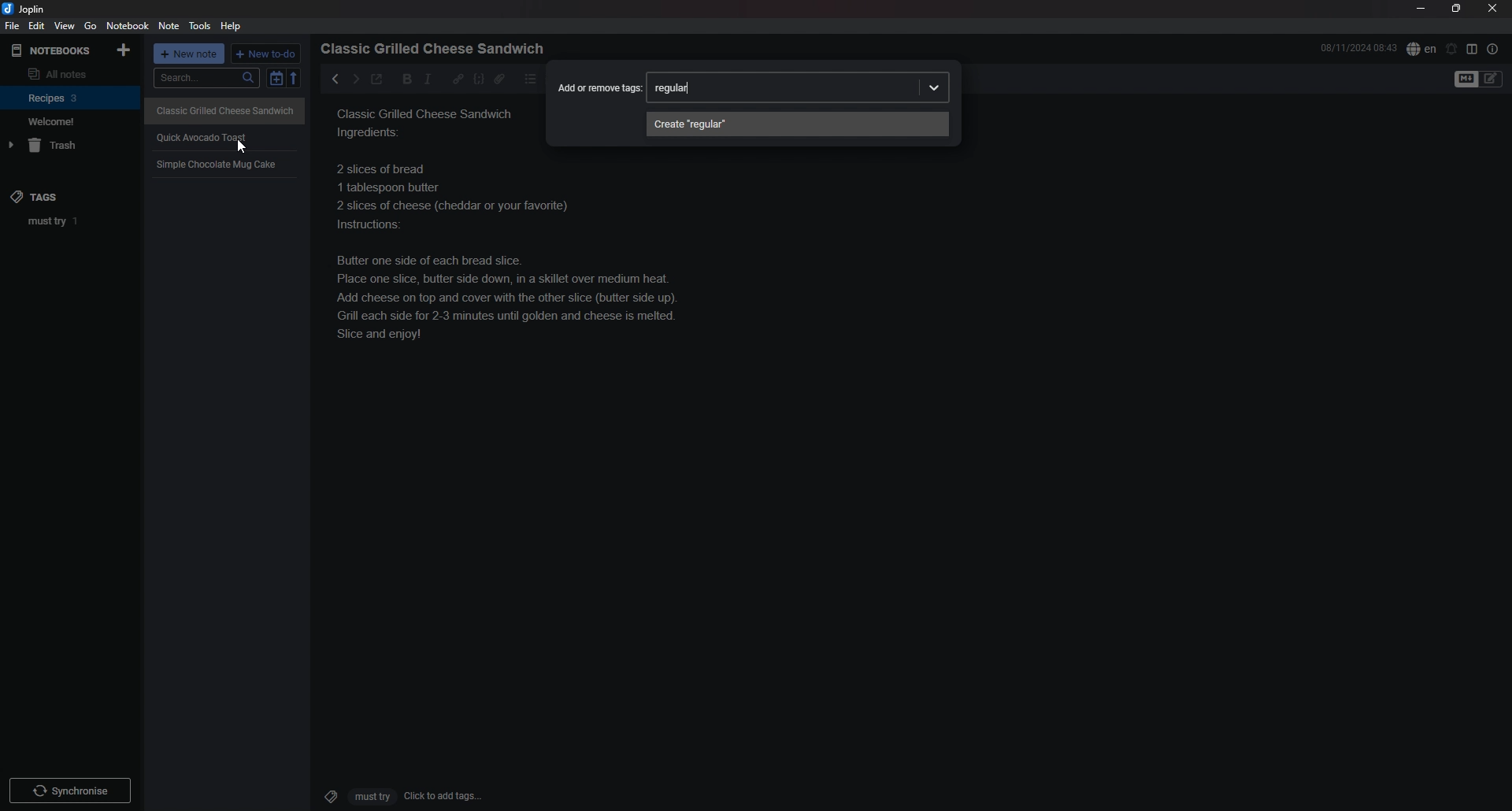  I want to click on set alarm, so click(1452, 48).